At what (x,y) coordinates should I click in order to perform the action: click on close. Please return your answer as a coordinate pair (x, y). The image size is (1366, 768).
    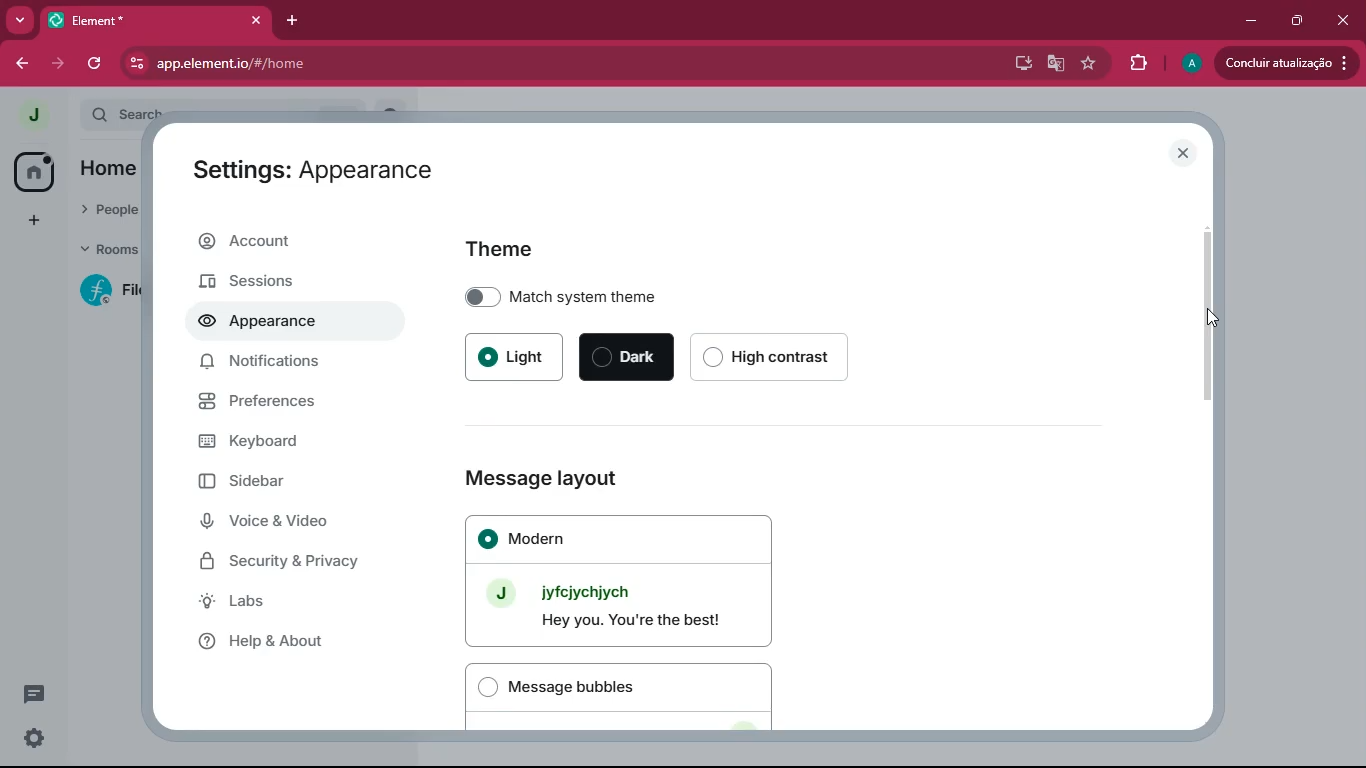
    Looking at the image, I should click on (255, 21).